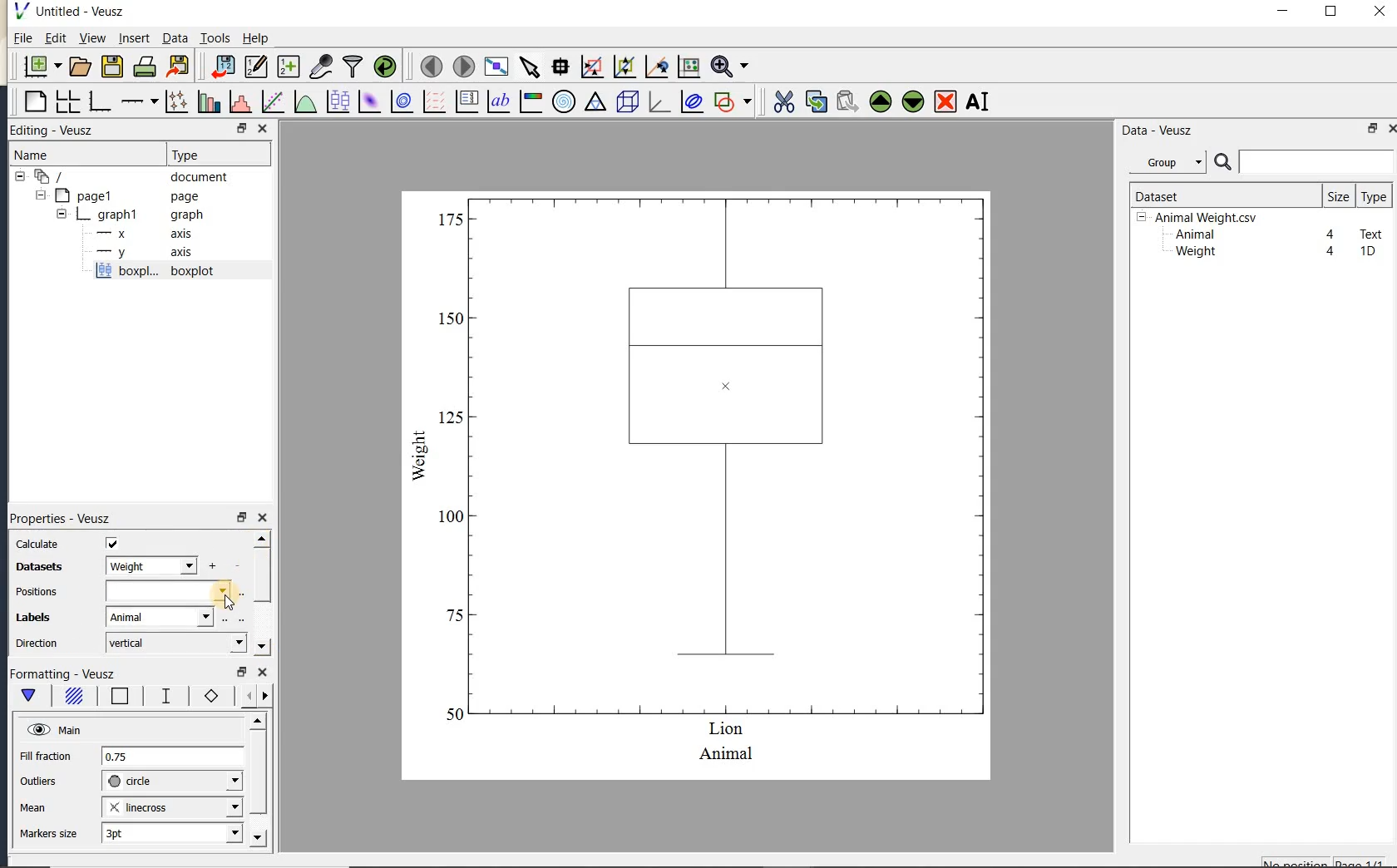 This screenshot has height=868, width=1397. What do you see at coordinates (239, 101) in the screenshot?
I see `histogram of a dataset` at bounding box center [239, 101].